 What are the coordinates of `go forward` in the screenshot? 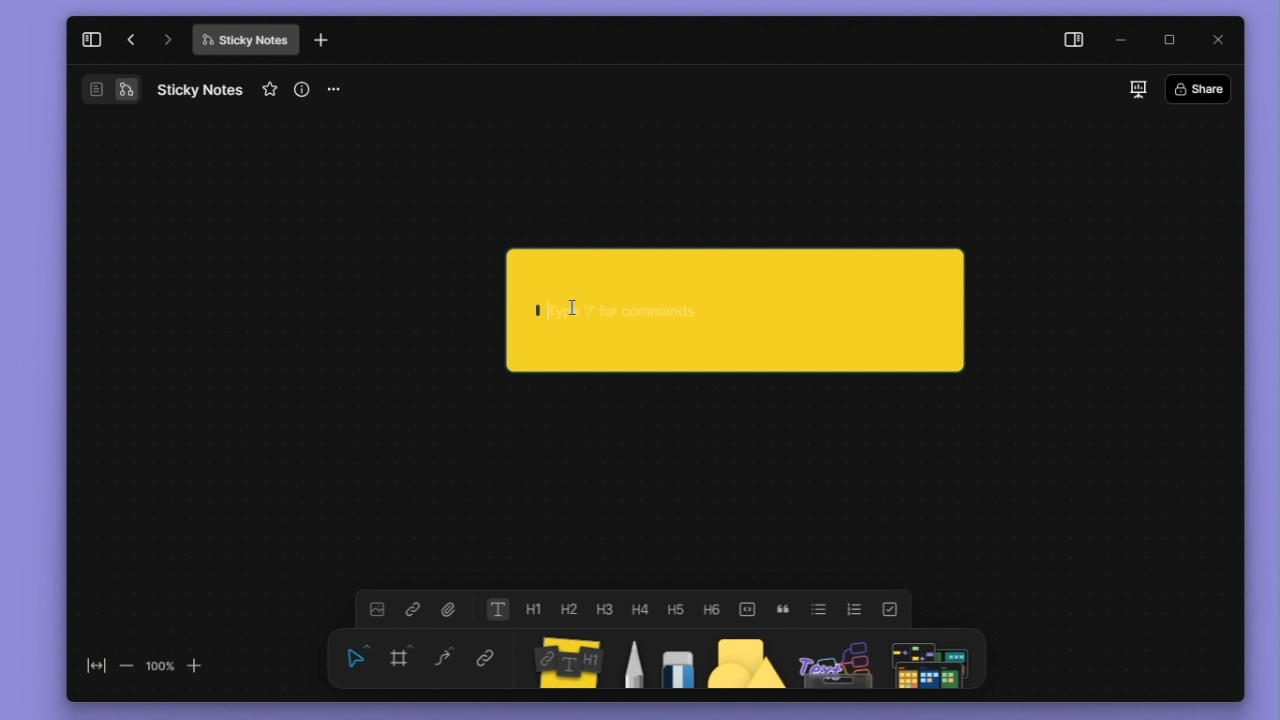 It's located at (164, 44).